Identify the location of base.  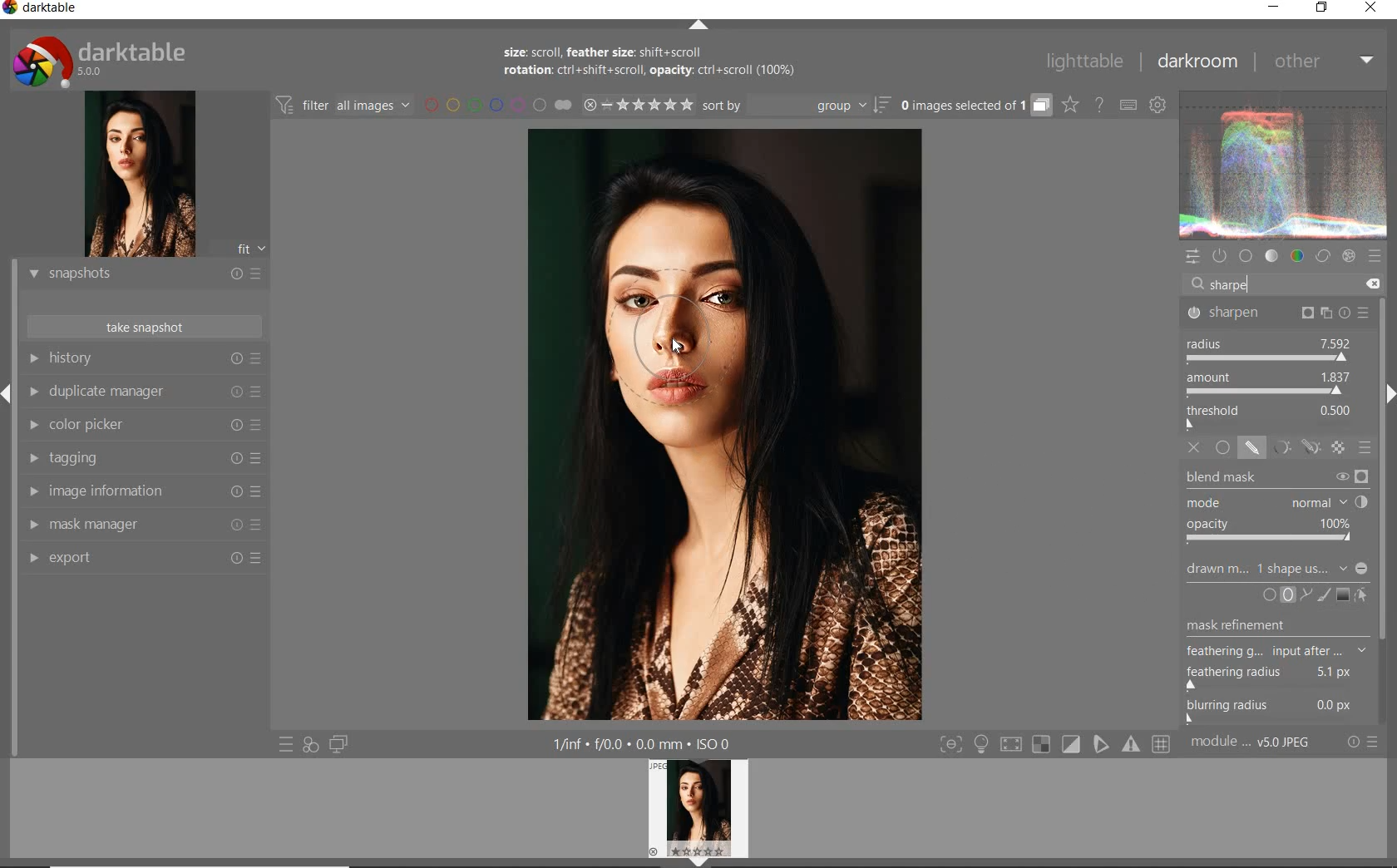
(1246, 255).